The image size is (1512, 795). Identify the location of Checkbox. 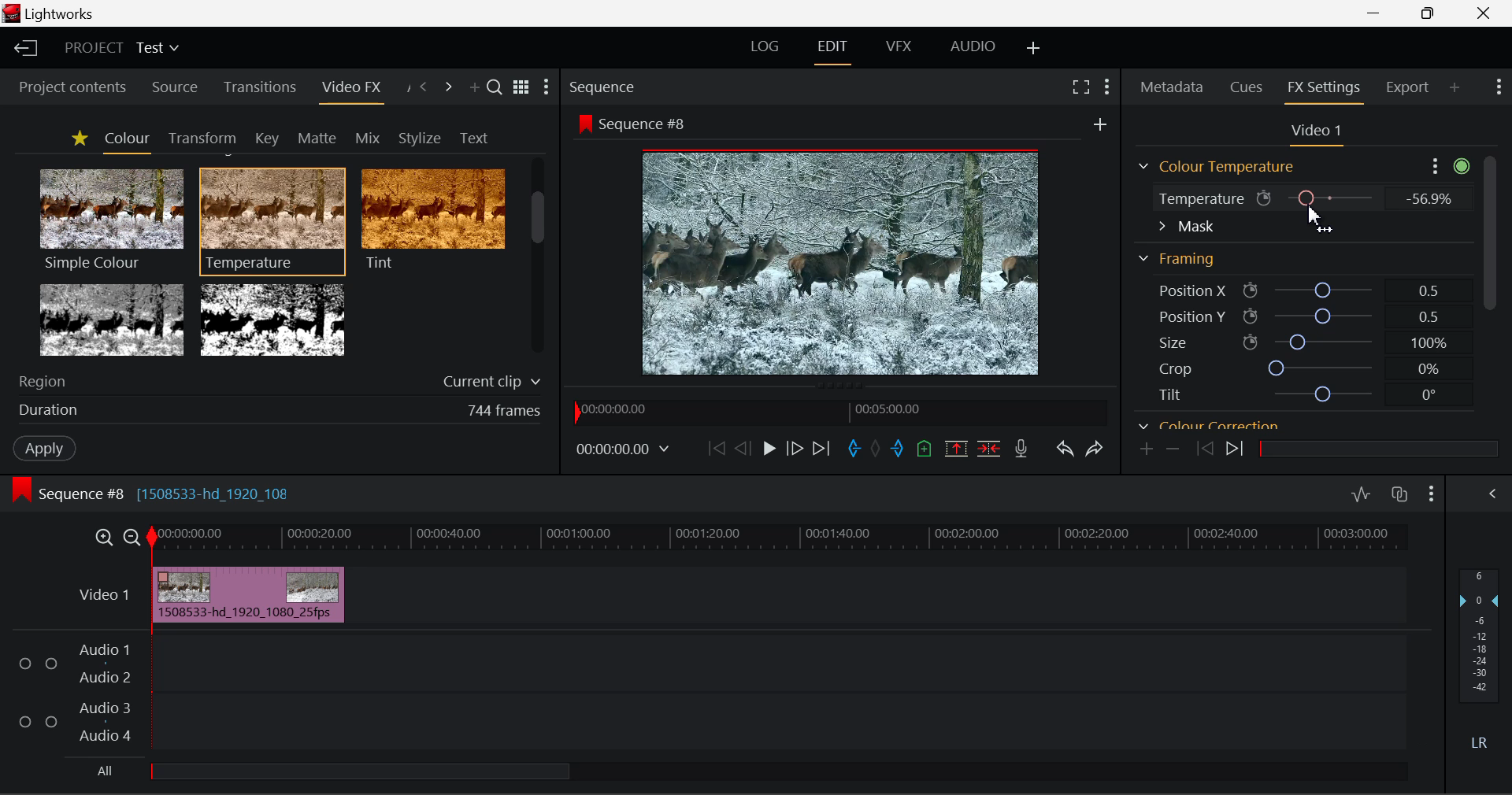
(26, 662).